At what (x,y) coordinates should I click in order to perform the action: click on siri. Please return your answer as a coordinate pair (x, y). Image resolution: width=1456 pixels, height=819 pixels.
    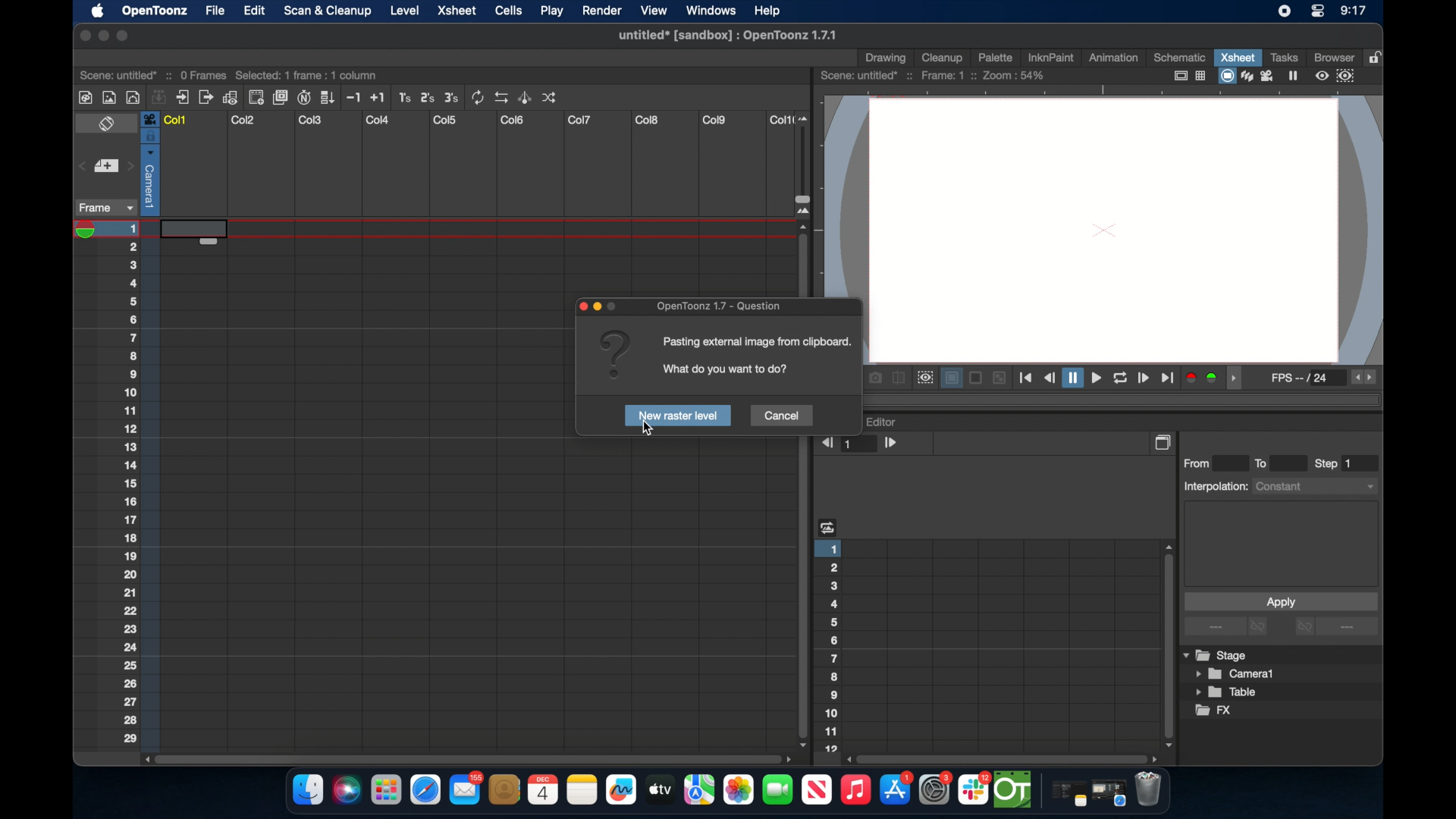
    Looking at the image, I should click on (345, 790).